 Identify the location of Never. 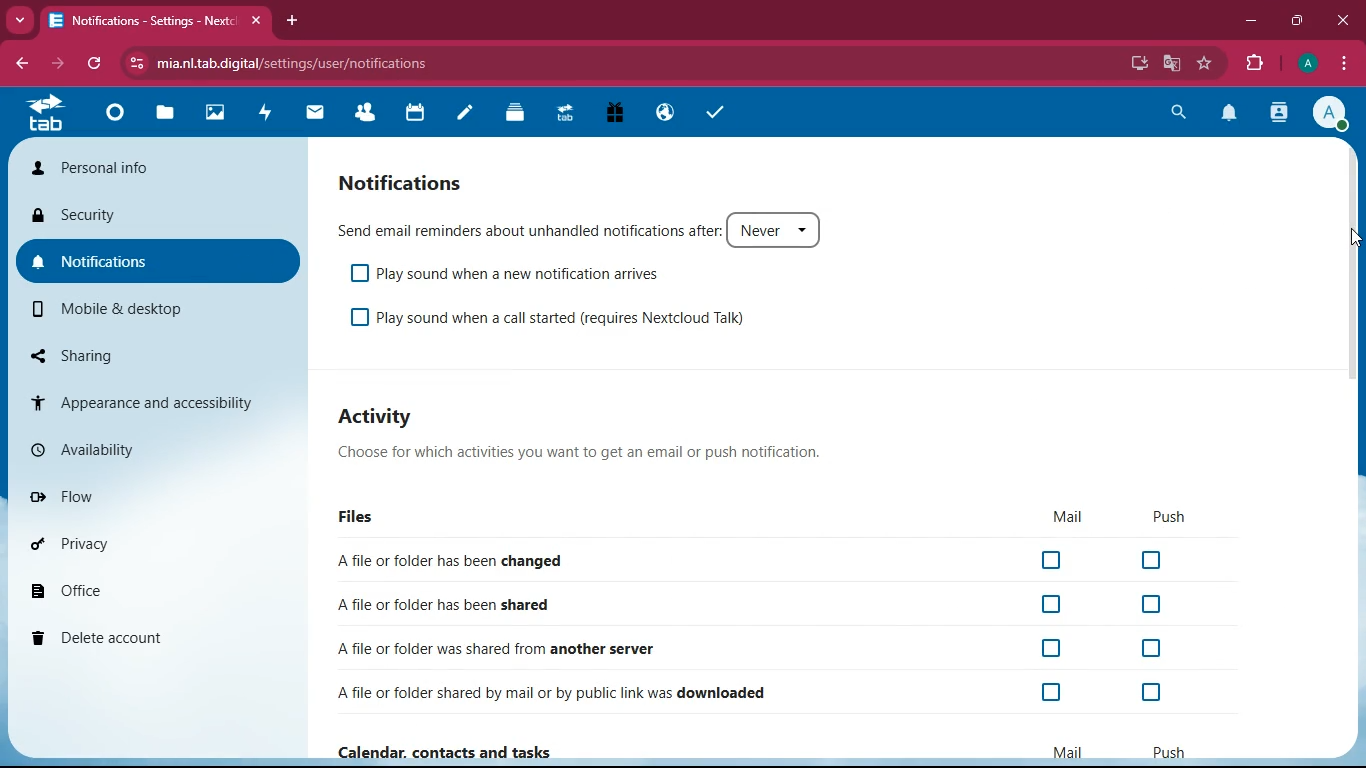
(773, 229).